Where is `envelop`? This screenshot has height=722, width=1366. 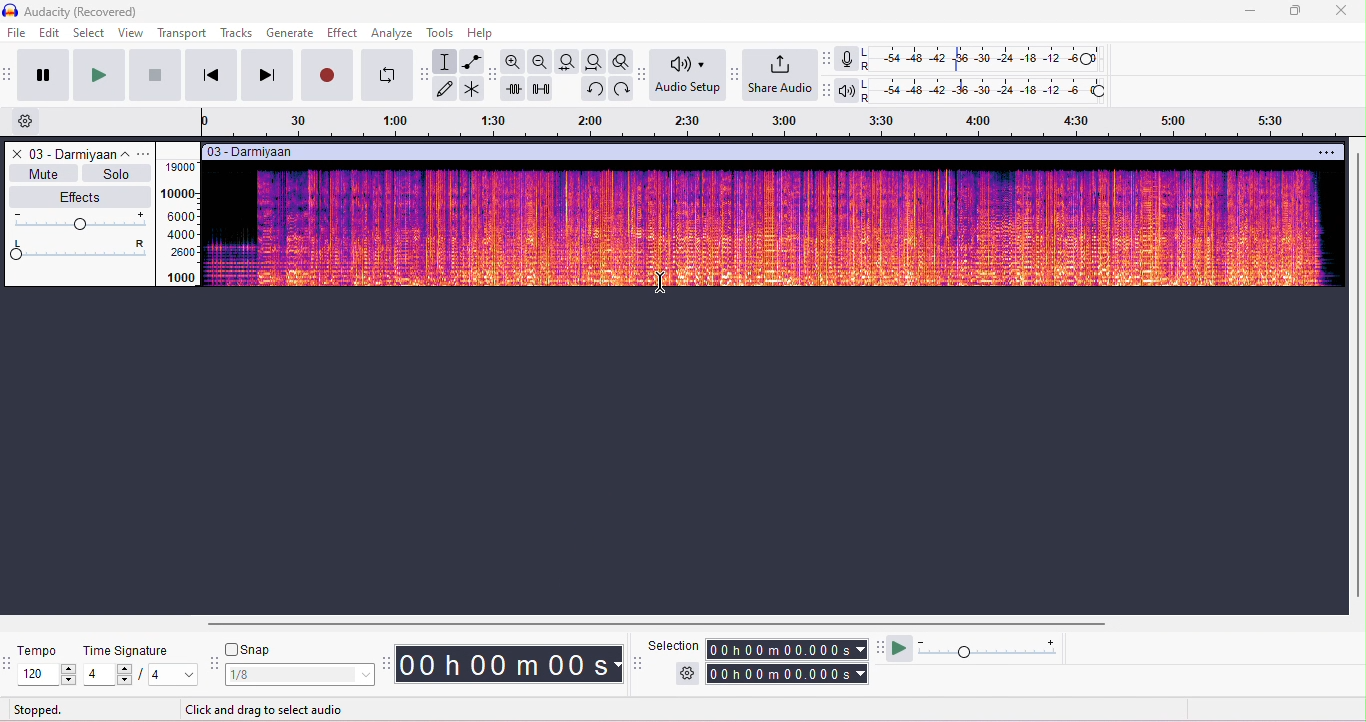
envelop is located at coordinates (470, 61).